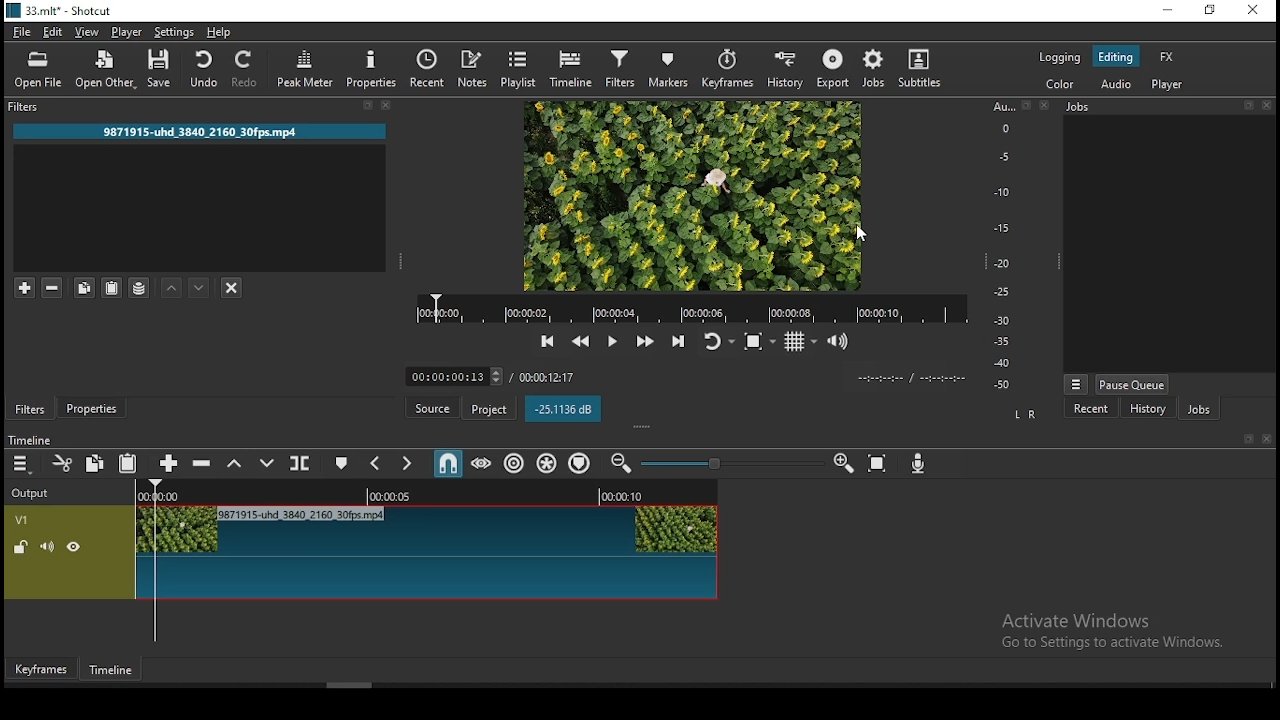 This screenshot has height=720, width=1280. What do you see at coordinates (1168, 58) in the screenshot?
I see `fx` at bounding box center [1168, 58].